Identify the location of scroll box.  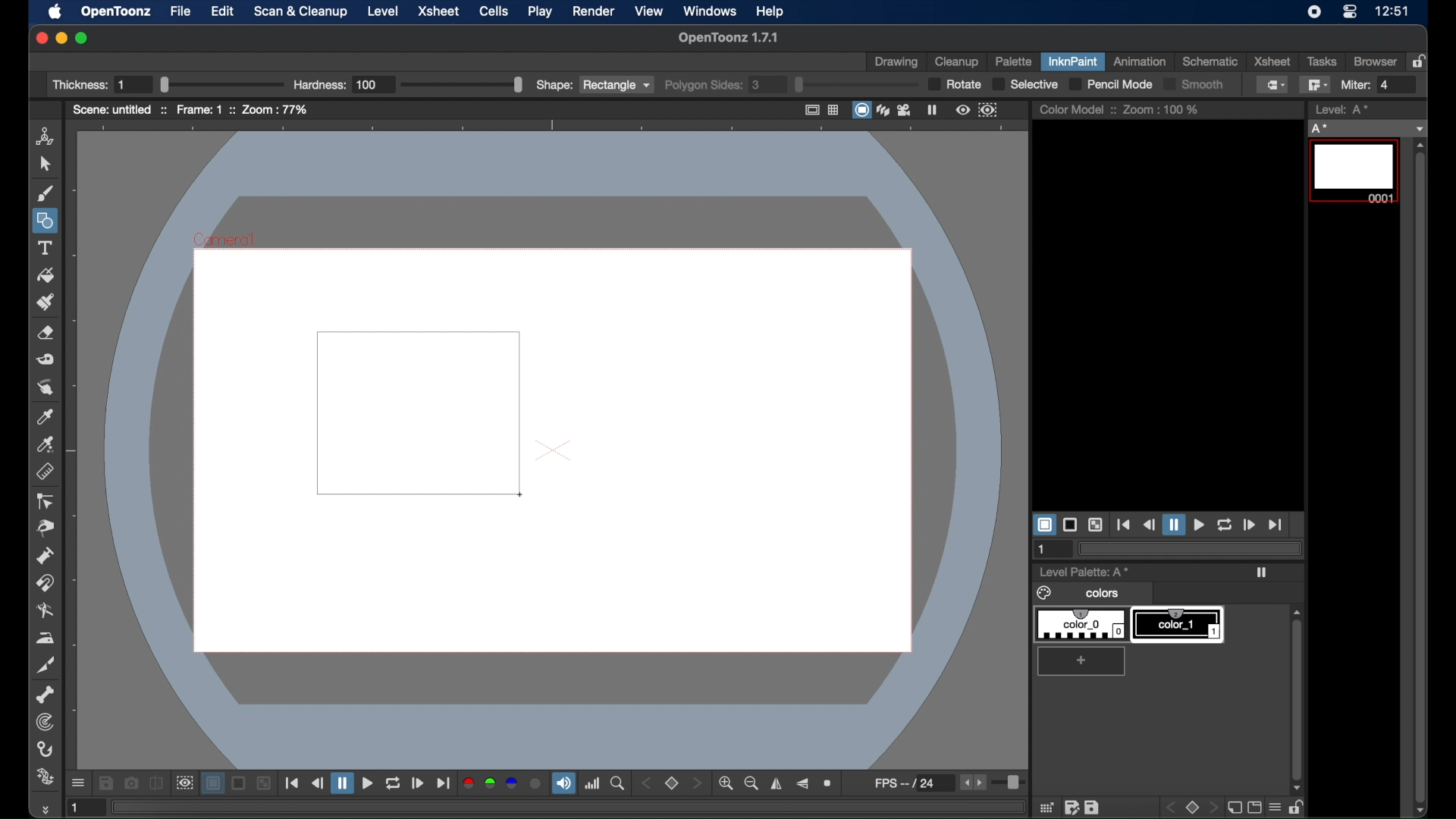
(1420, 477).